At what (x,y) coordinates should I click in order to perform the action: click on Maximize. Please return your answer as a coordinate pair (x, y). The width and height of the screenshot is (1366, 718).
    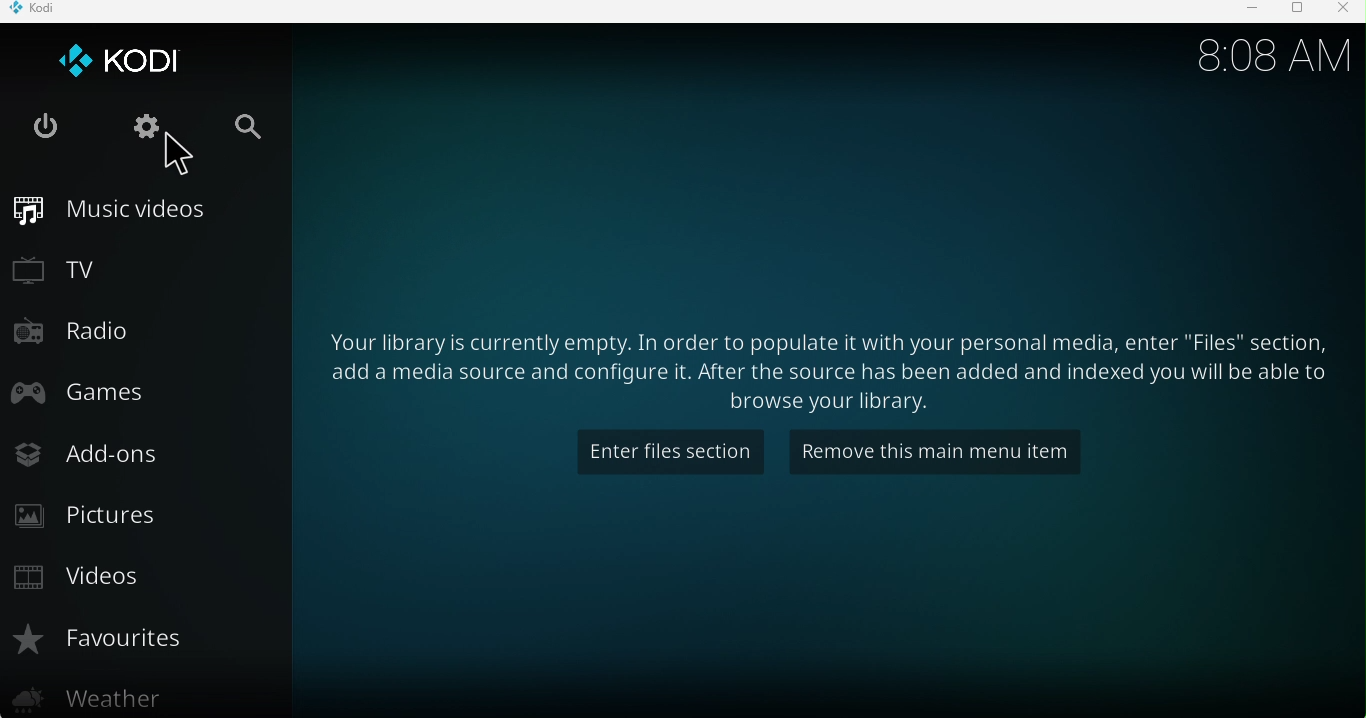
    Looking at the image, I should click on (1295, 10).